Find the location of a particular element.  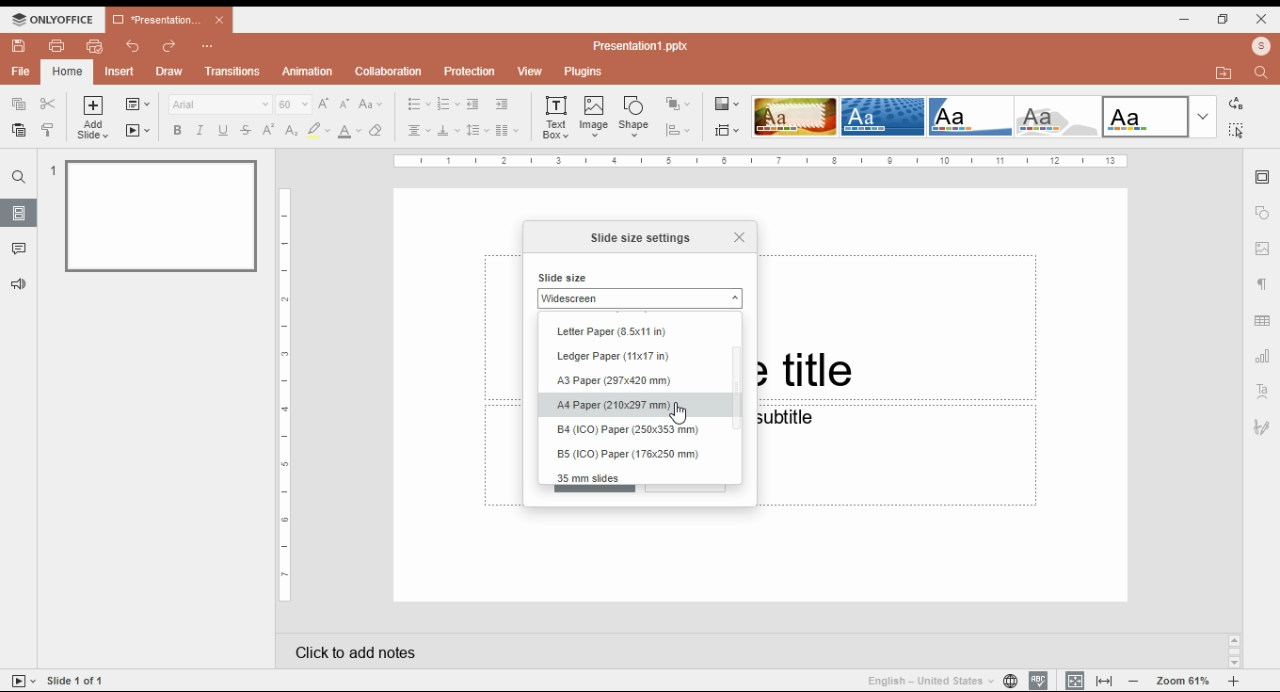

slide settings is located at coordinates (1264, 178).